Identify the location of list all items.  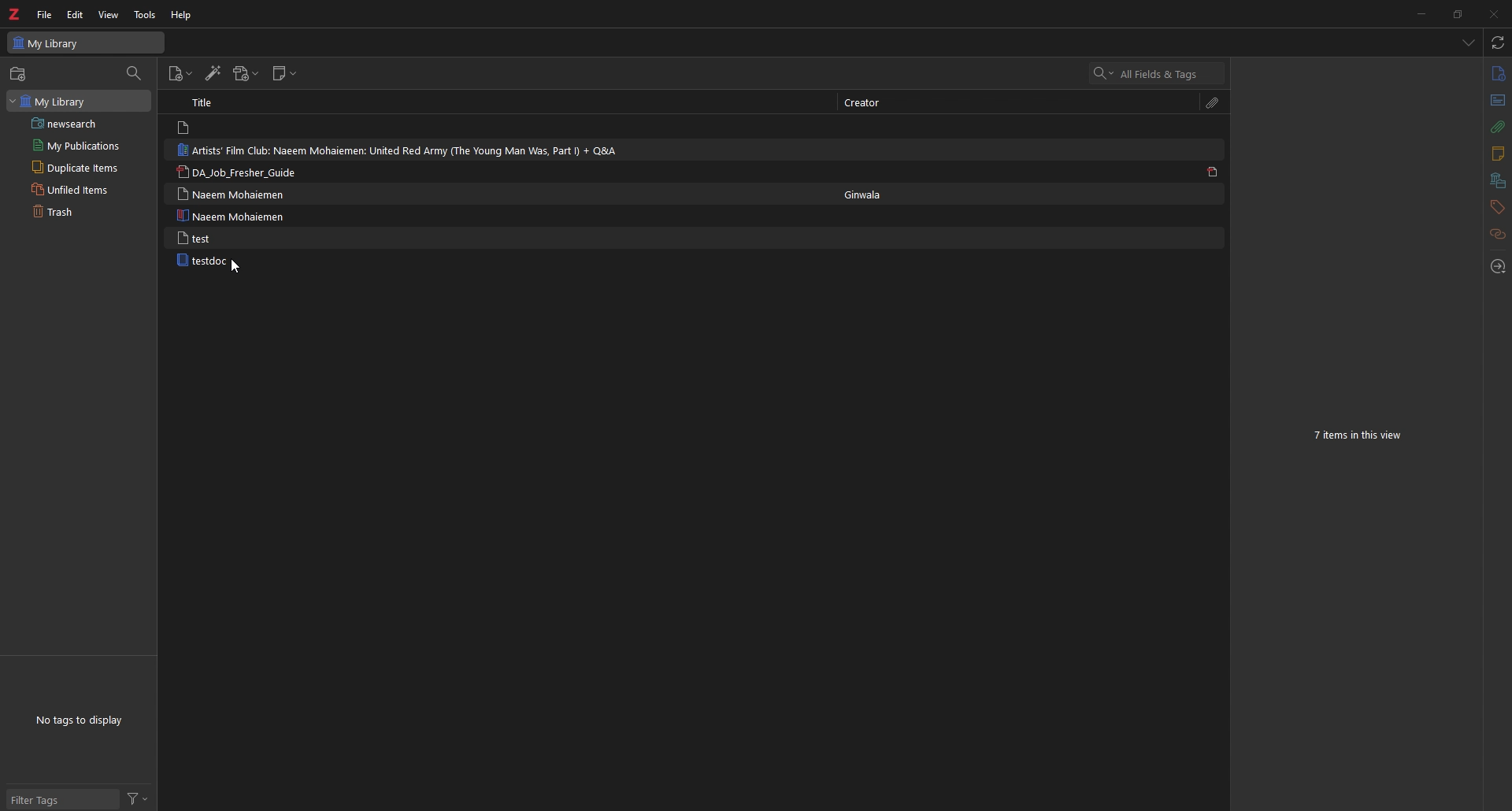
(1469, 43).